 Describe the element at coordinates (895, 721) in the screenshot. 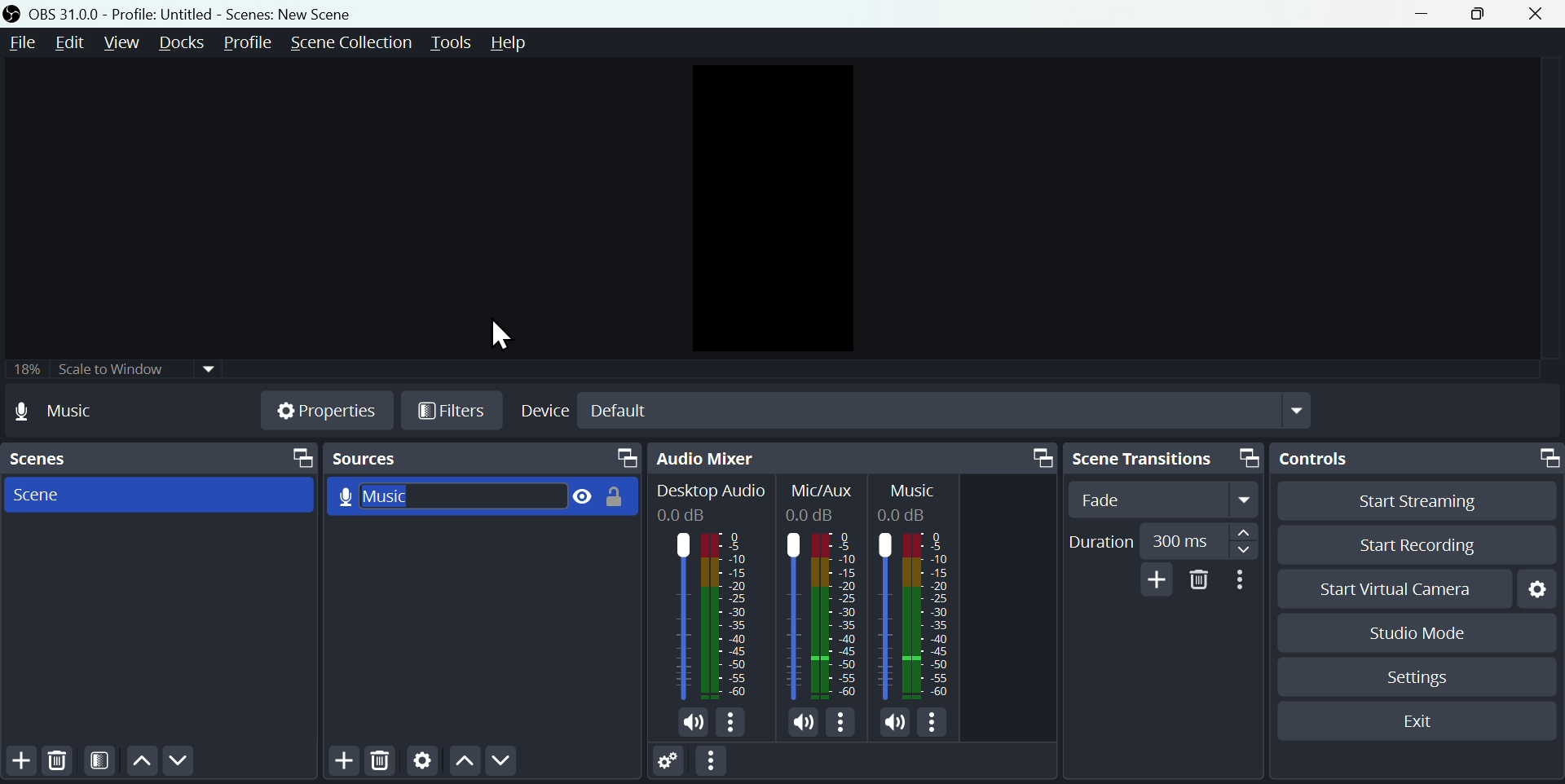

I see `Sound` at that location.